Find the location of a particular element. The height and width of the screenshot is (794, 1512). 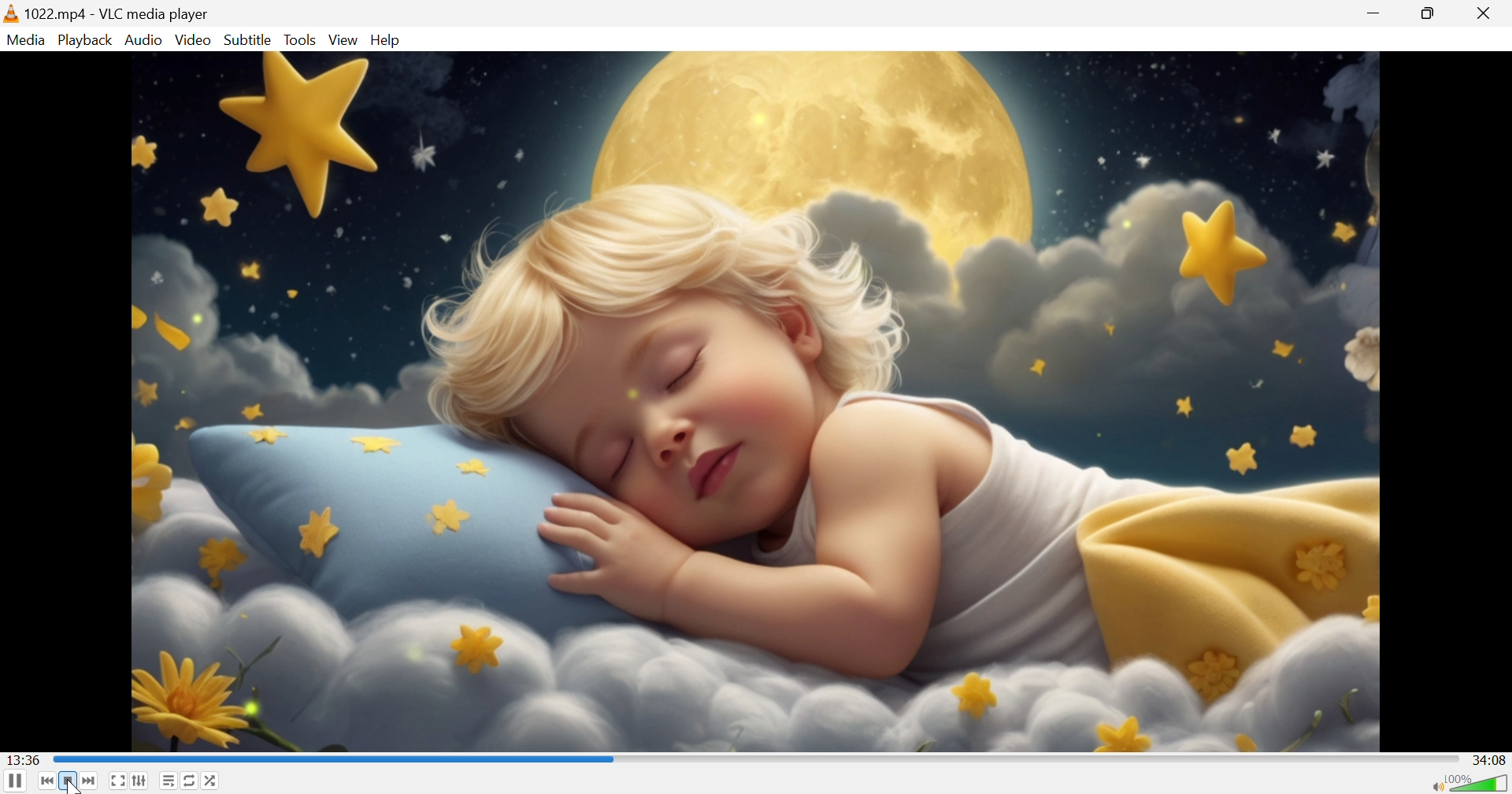

View is located at coordinates (345, 40).